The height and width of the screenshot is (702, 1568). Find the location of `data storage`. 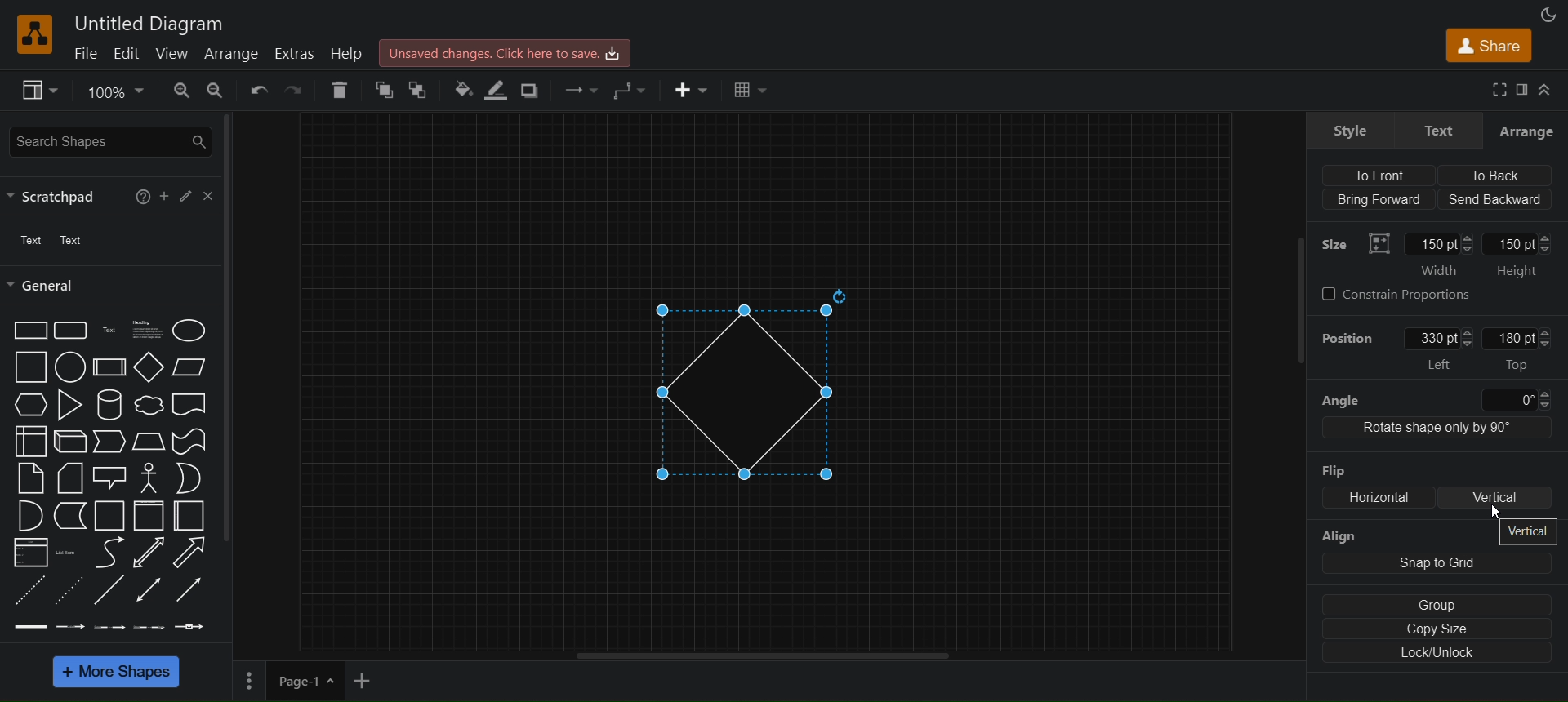

data storage is located at coordinates (66, 516).